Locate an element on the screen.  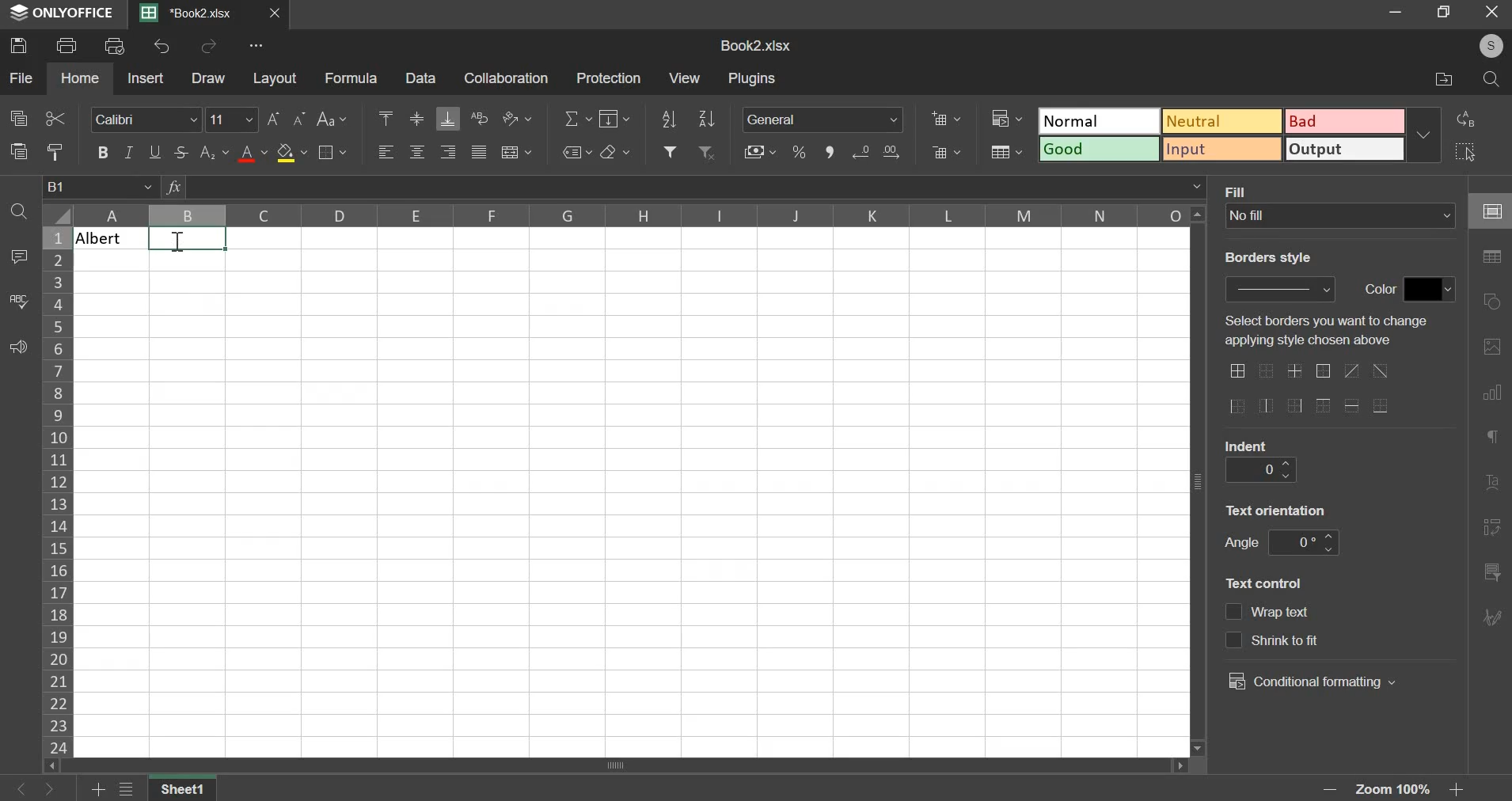
search is located at coordinates (1487, 78).